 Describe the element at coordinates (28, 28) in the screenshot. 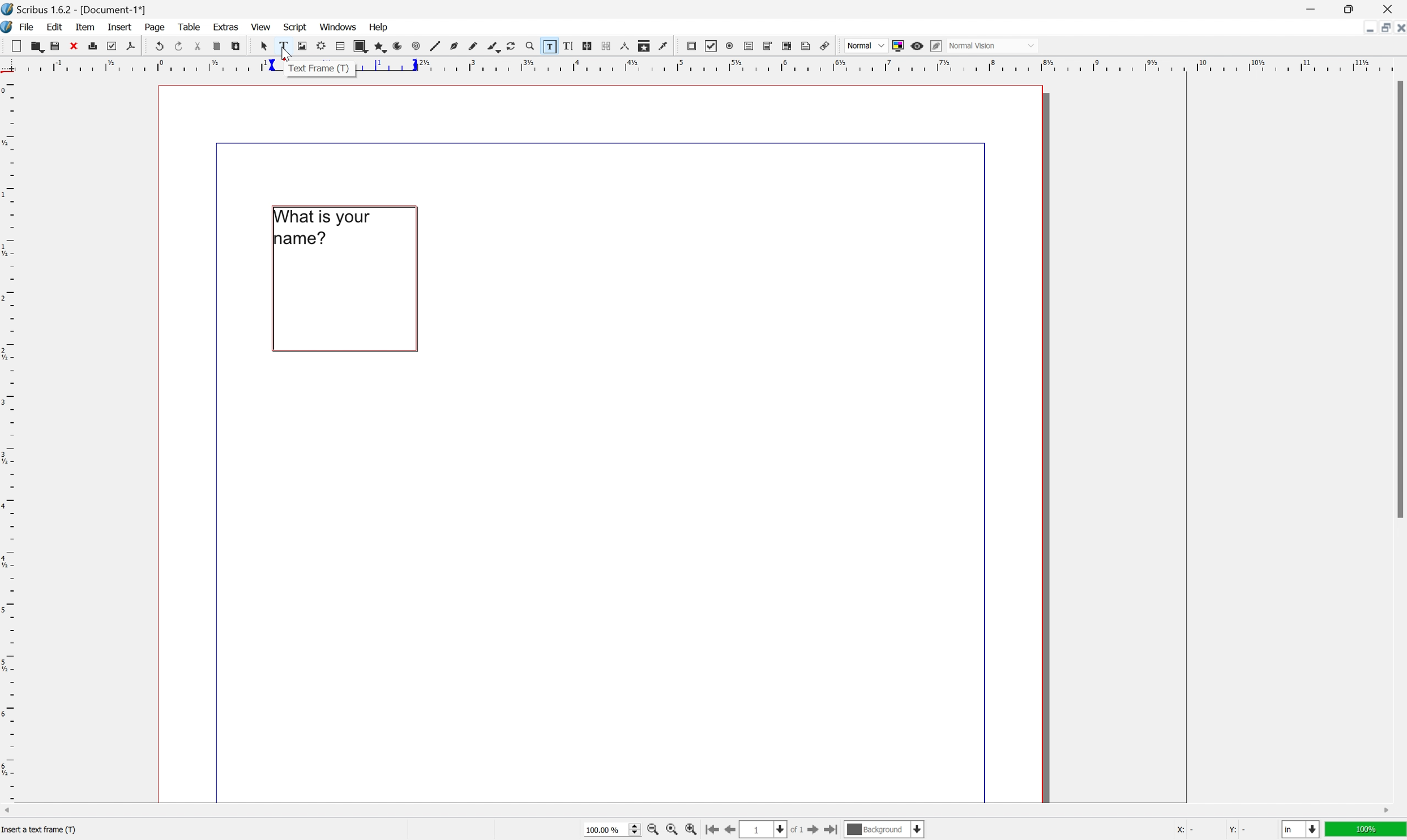

I see `file` at that location.